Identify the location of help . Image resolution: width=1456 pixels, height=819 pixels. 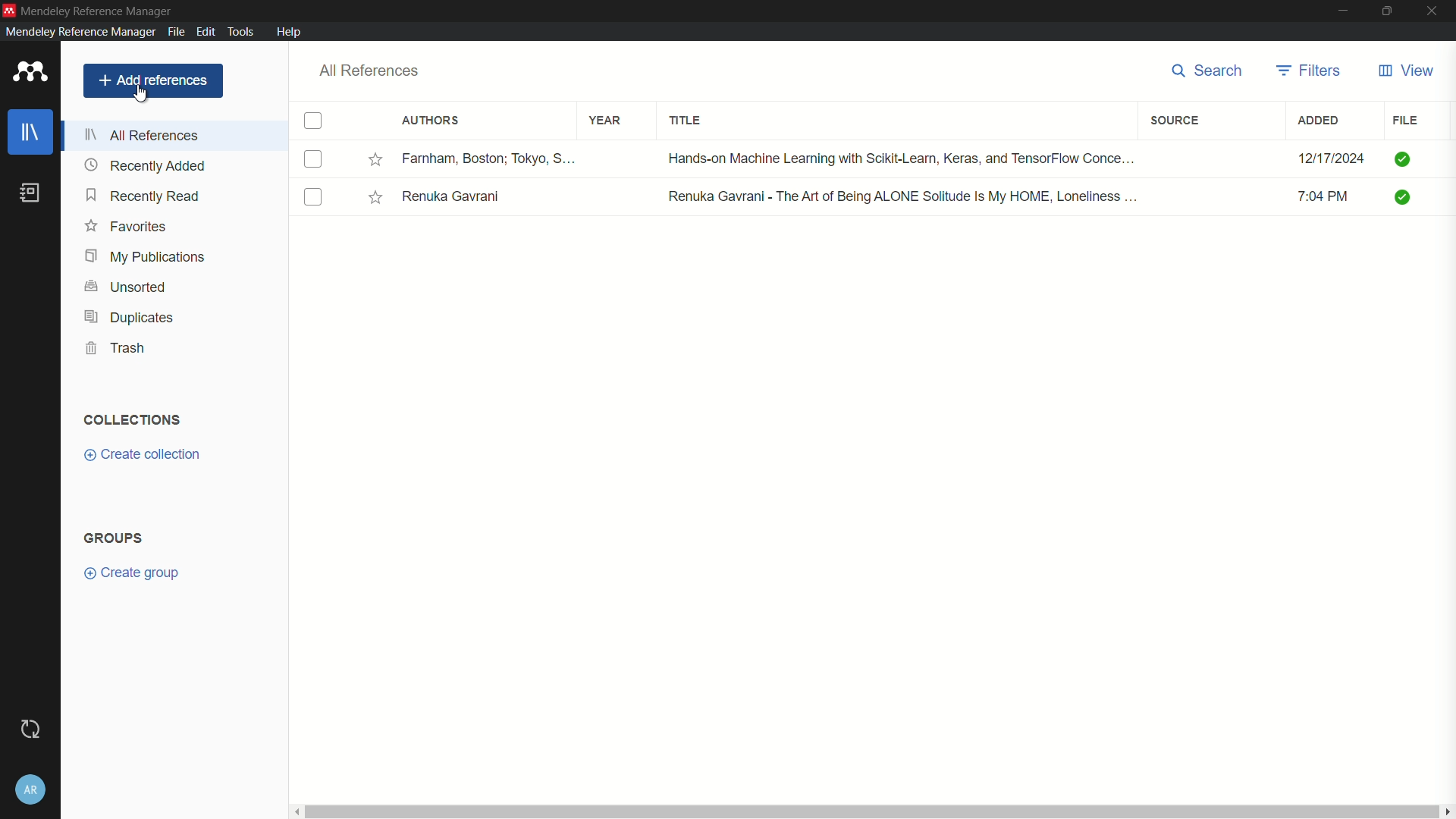
(289, 32).